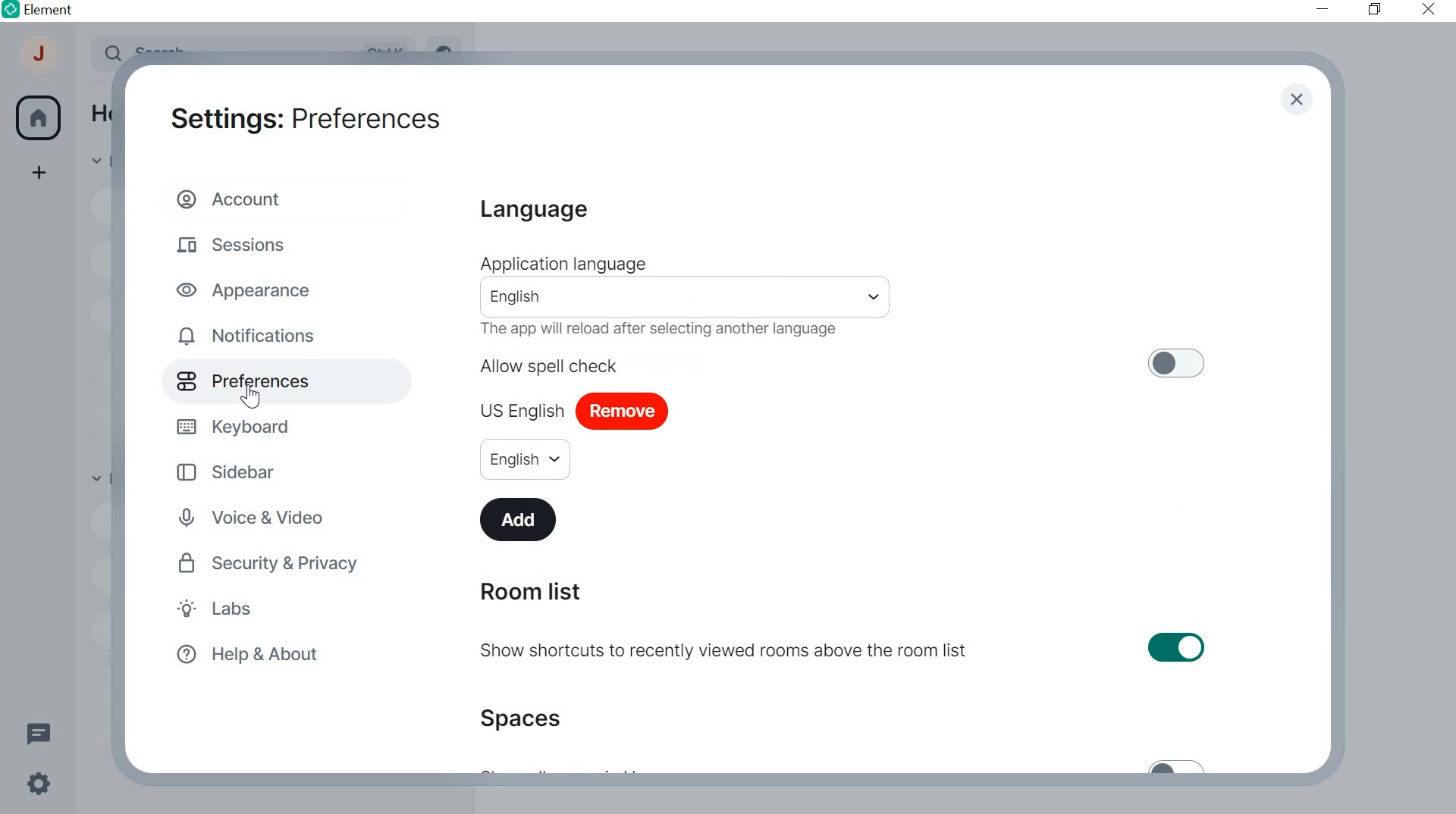  I want to click on CREATE A SPACE, so click(40, 175).